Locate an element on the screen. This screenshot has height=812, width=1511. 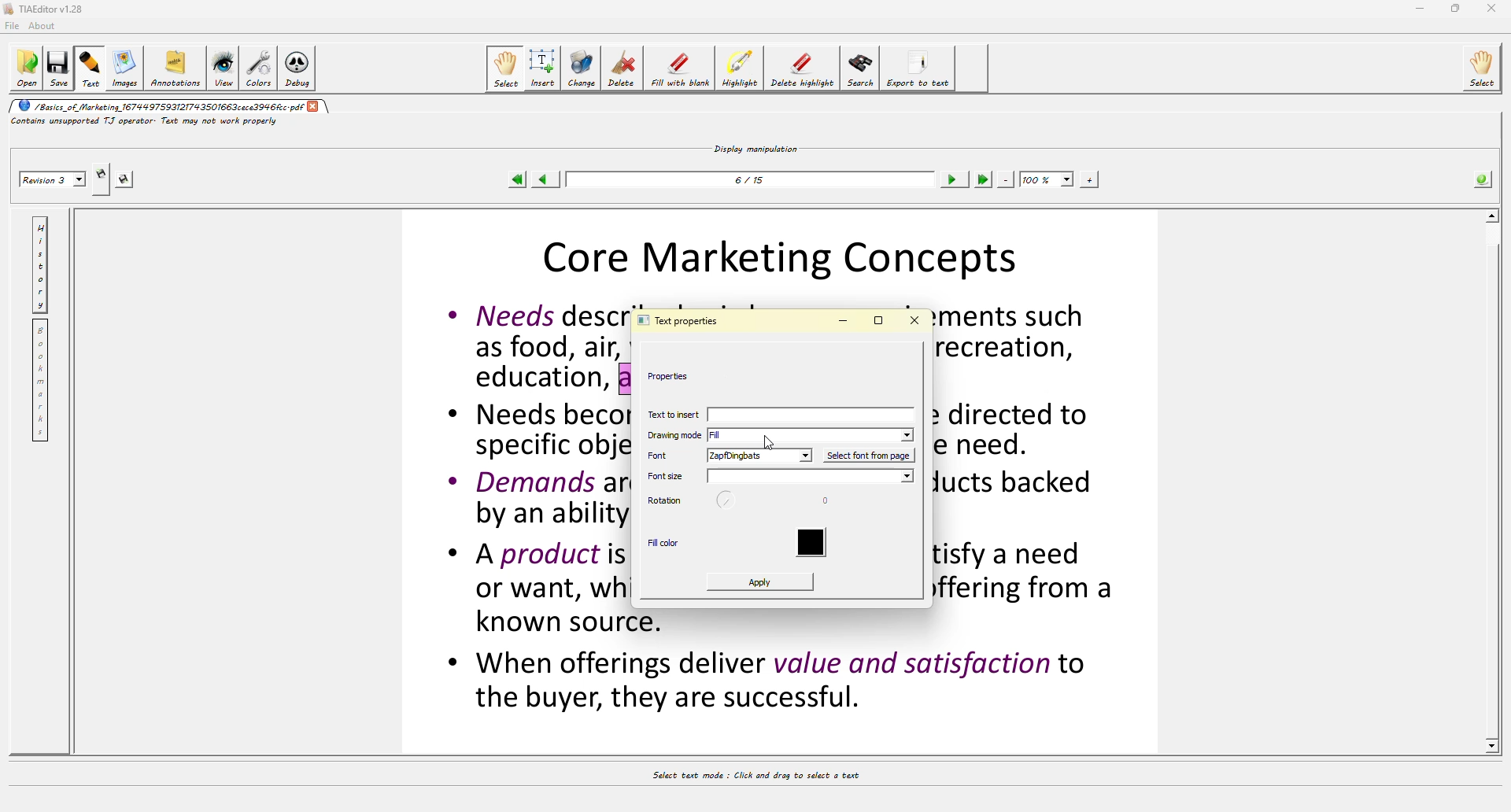
bookmarks is located at coordinates (41, 381).